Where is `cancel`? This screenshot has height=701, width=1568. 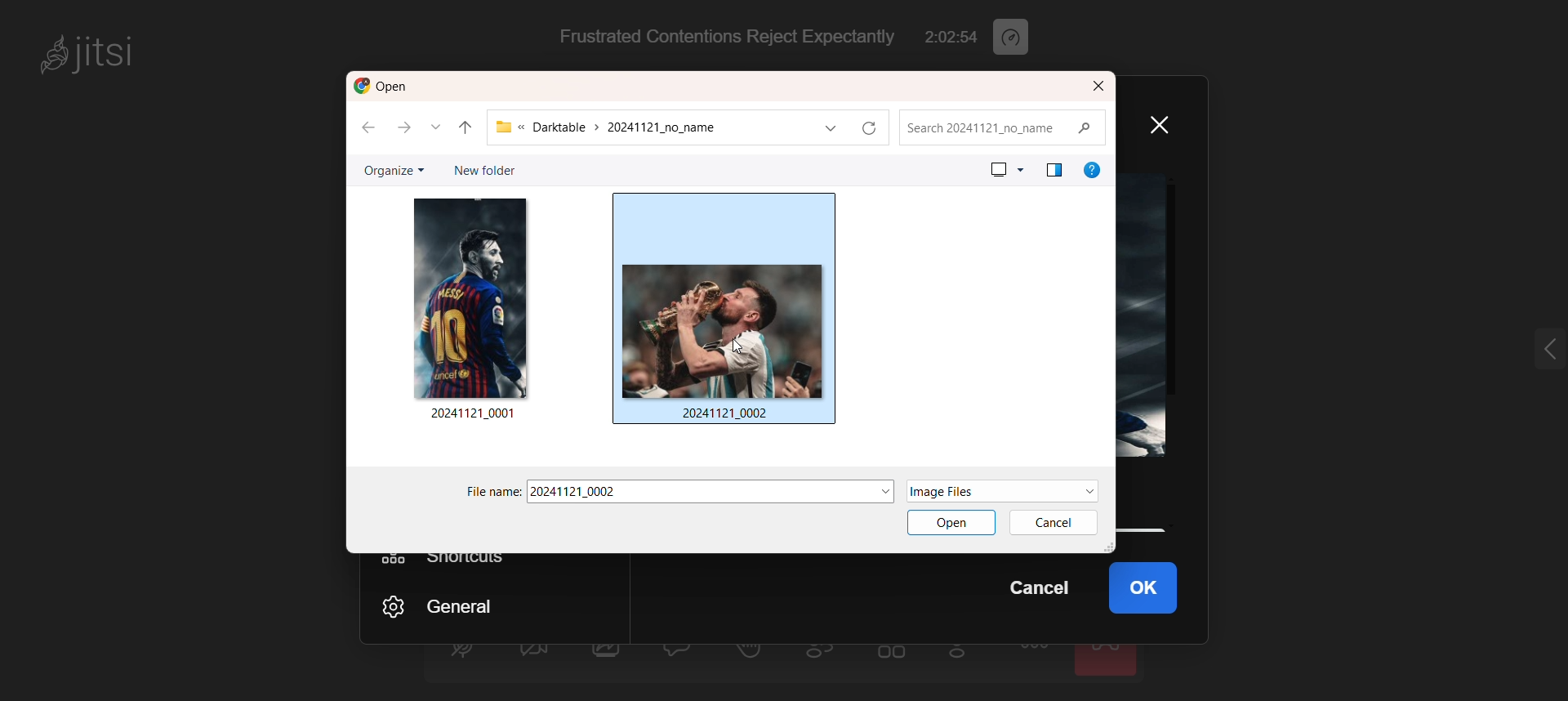
cancel is located at coordinates (1057, 521).